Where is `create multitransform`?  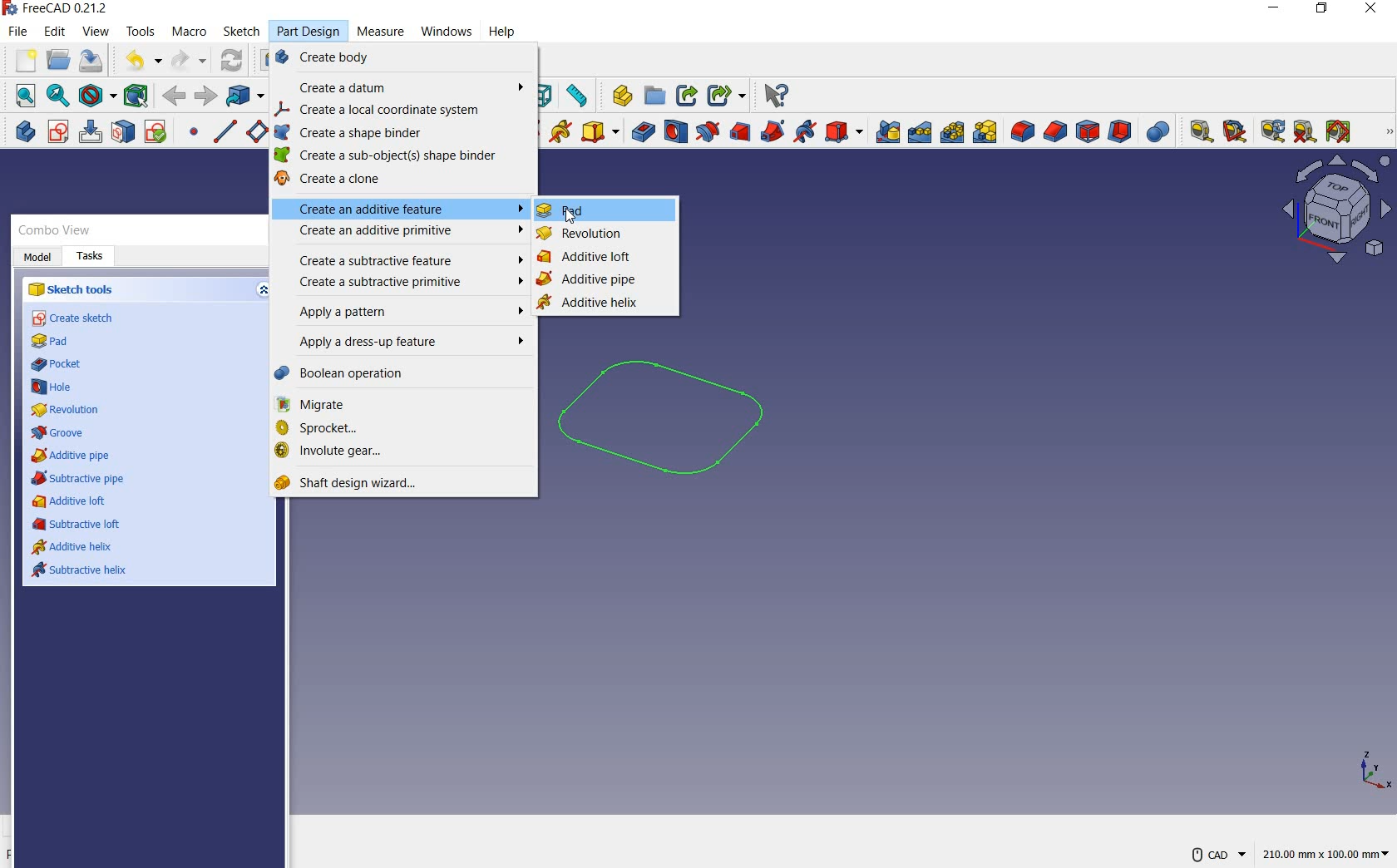 create multitransform is located at coordinates (988, 133).